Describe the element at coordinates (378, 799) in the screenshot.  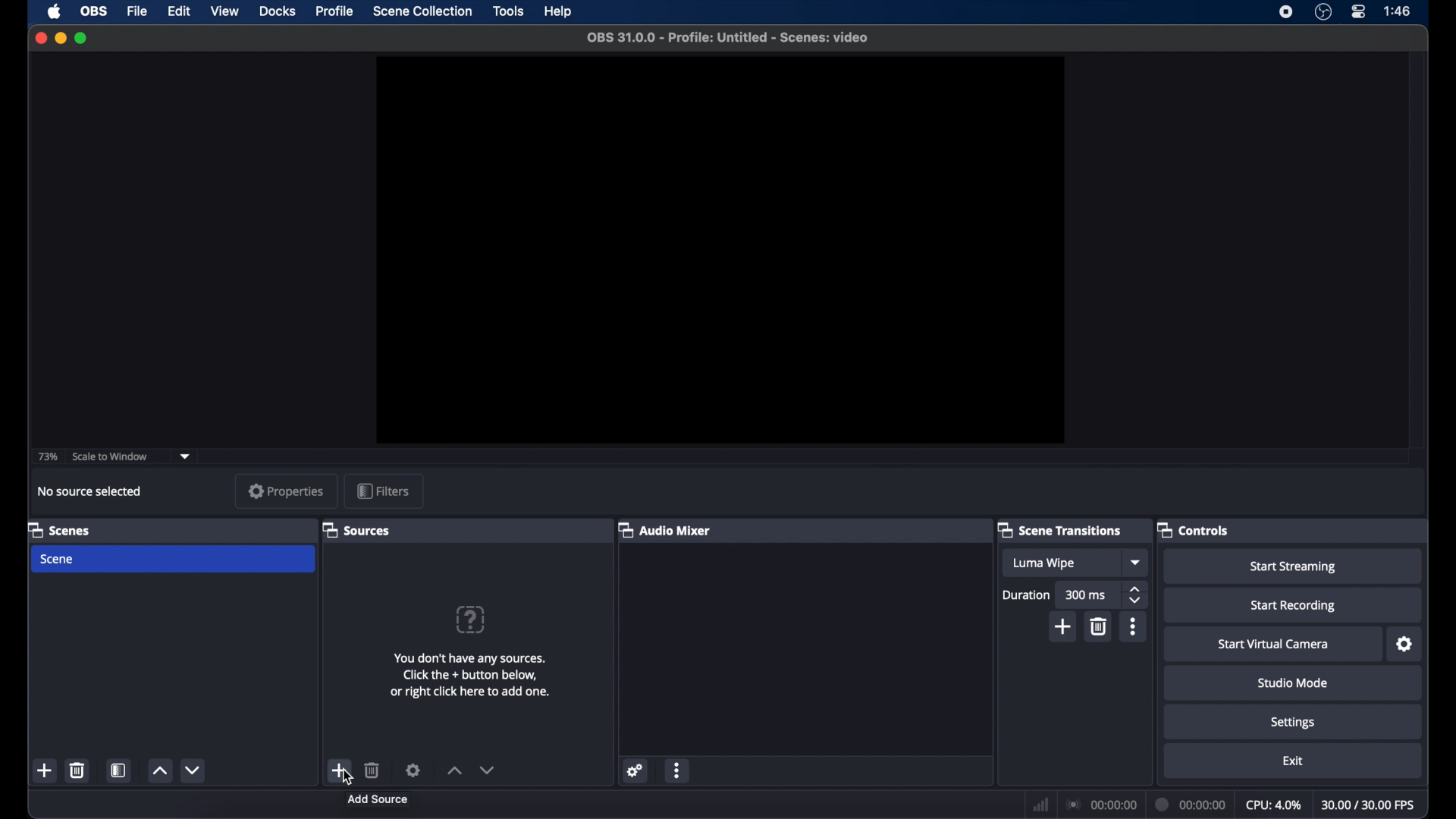
I see `tooltip` at that location.